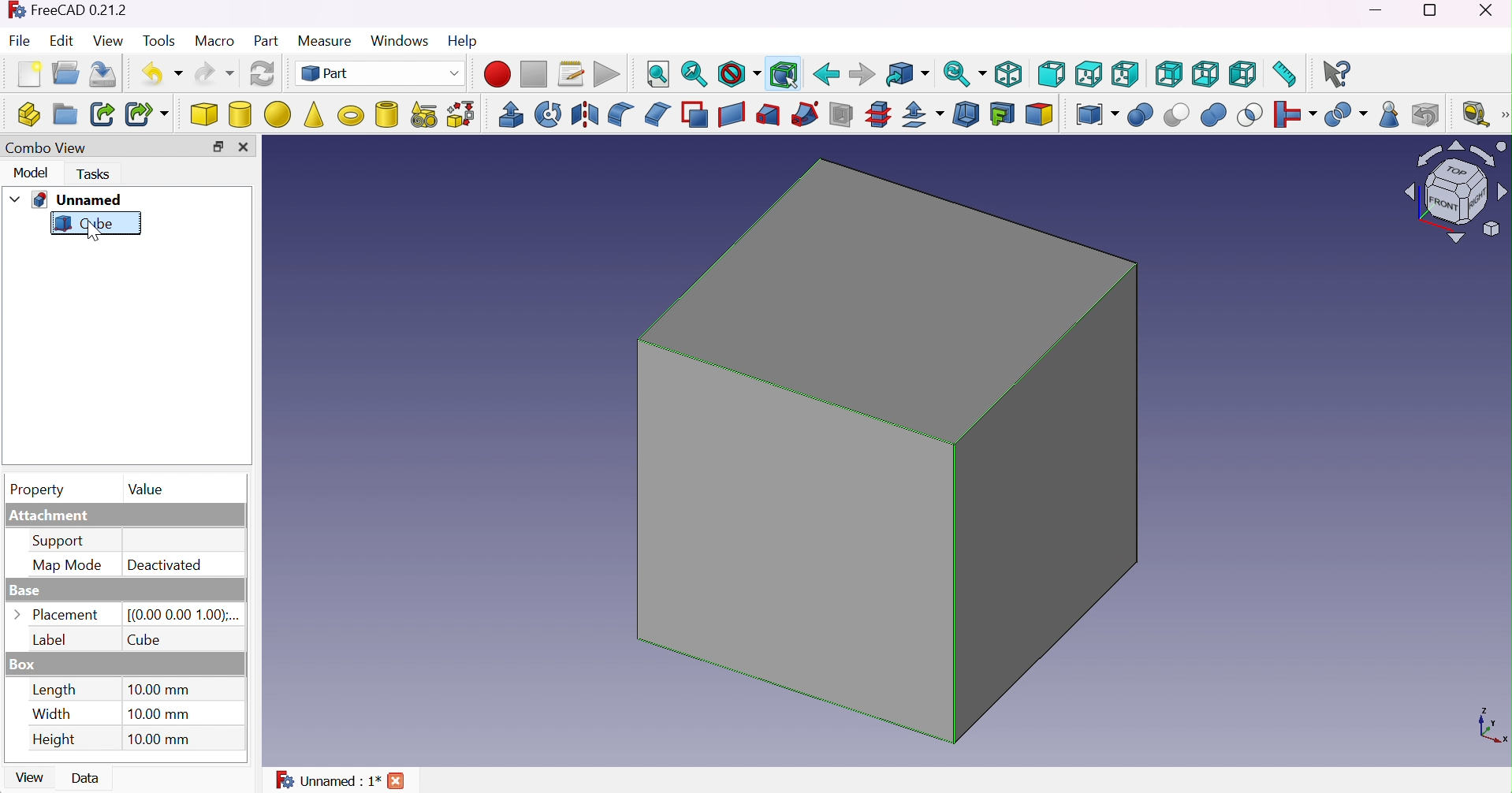 The height and width of the screenshot is (793, 1512). What do you see at coordinates (222, 148) in the screenshot?
I see `Restore down` at bounding box center [222, 148].